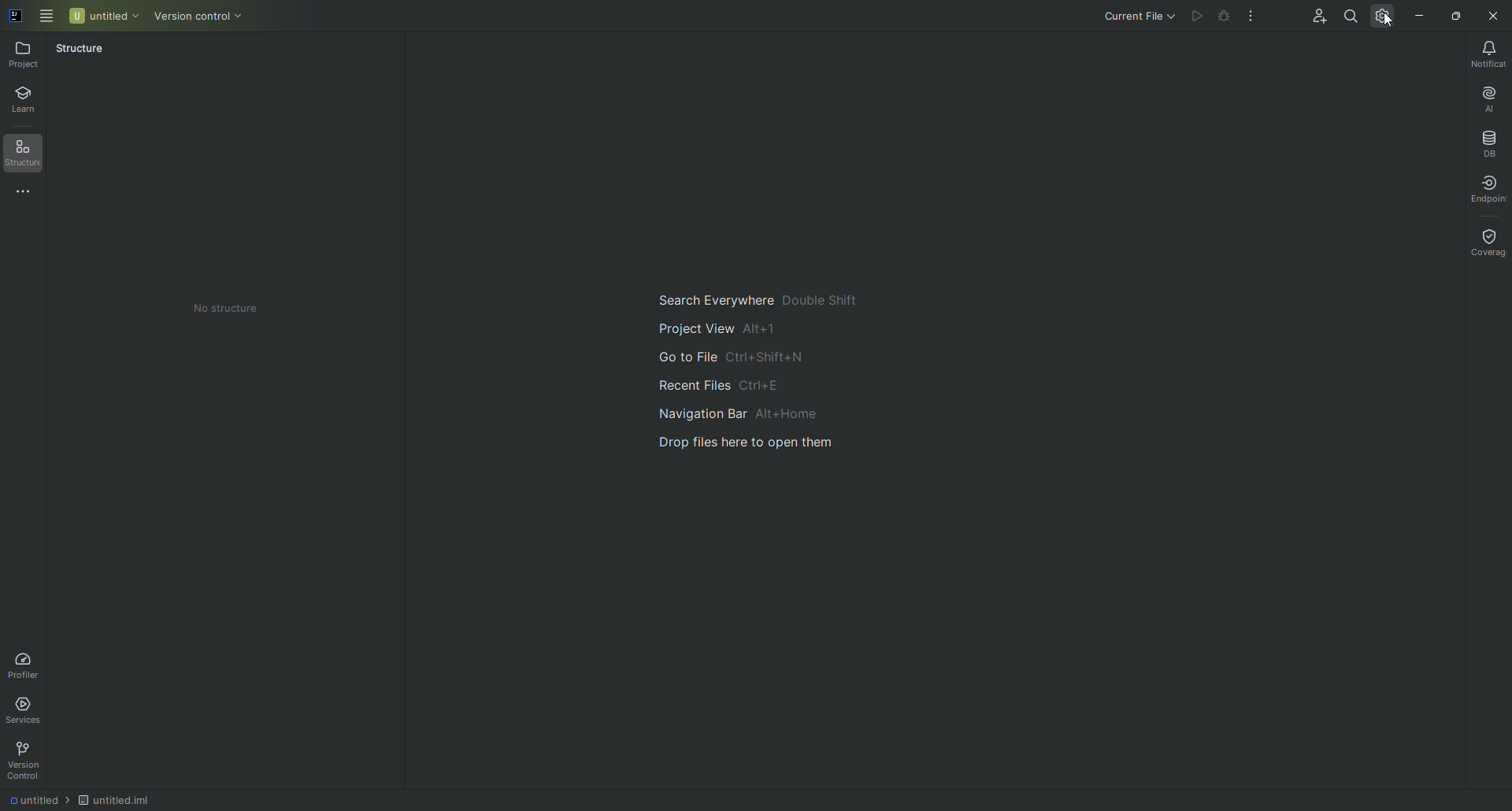  Describe the element at coordinates (1351, 17) in the screenshot. I see `Search` at that location.